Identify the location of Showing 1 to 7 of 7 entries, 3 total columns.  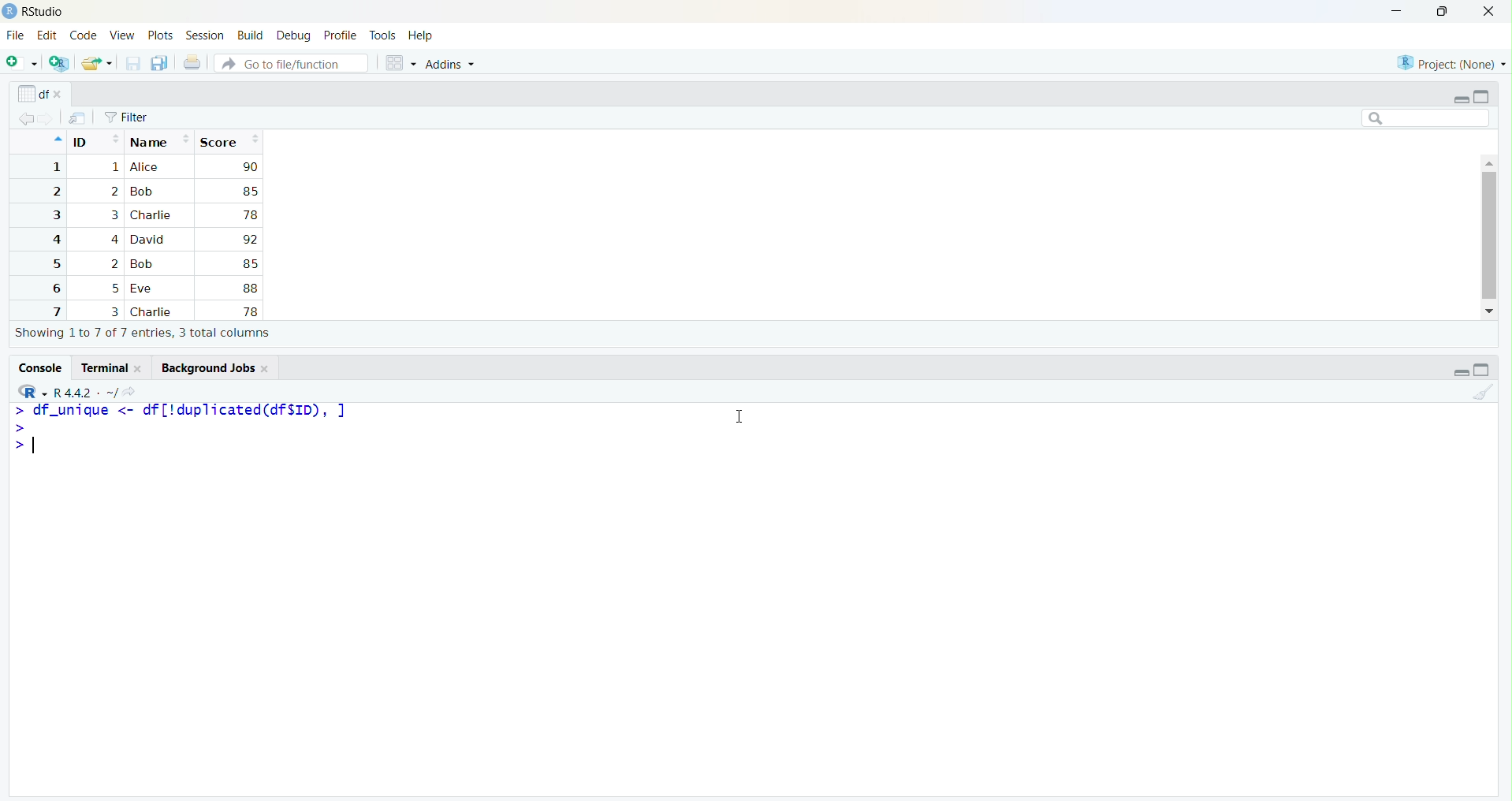
(143, 333).